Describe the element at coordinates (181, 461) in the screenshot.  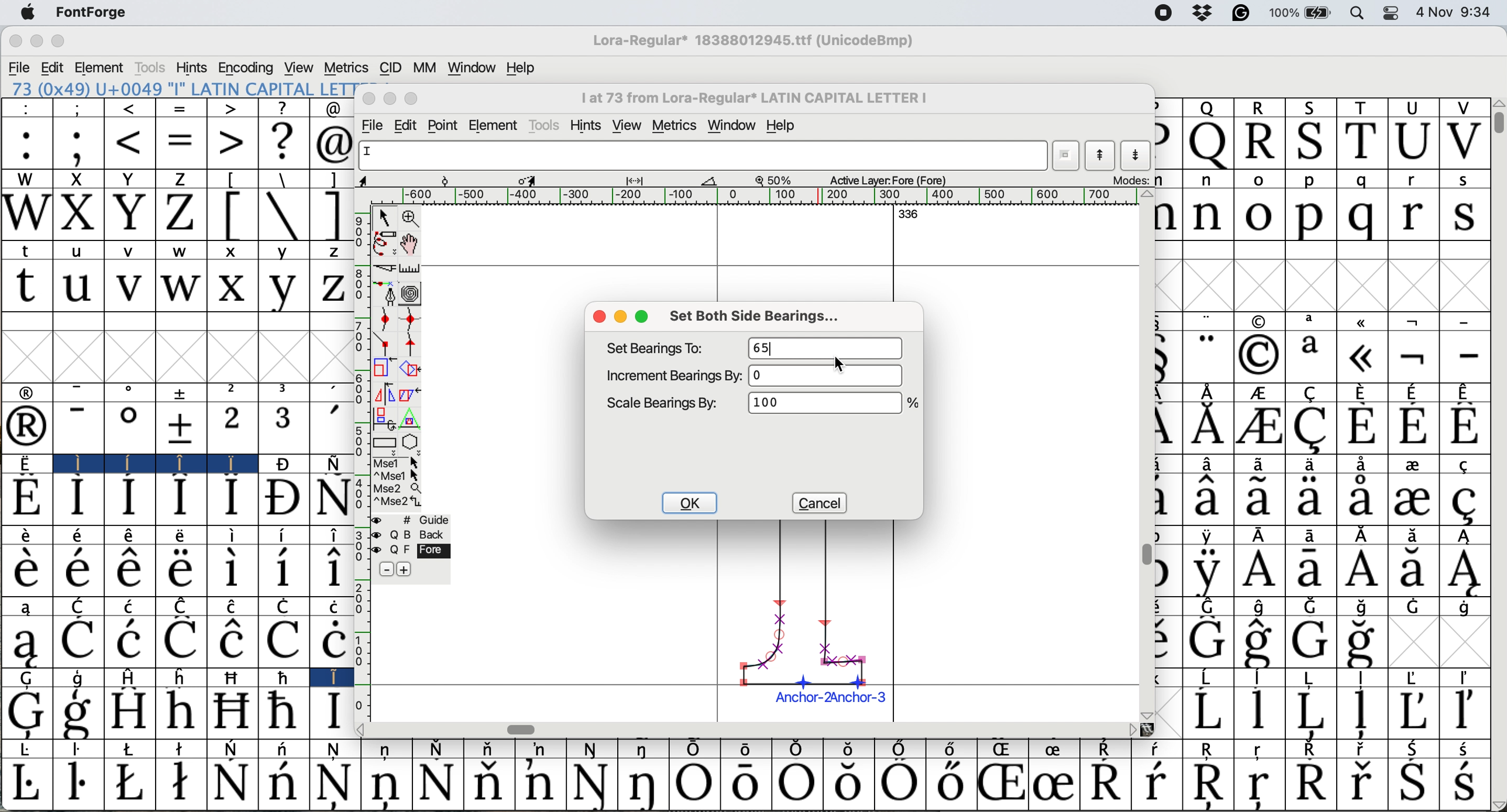
I see `` at that location.